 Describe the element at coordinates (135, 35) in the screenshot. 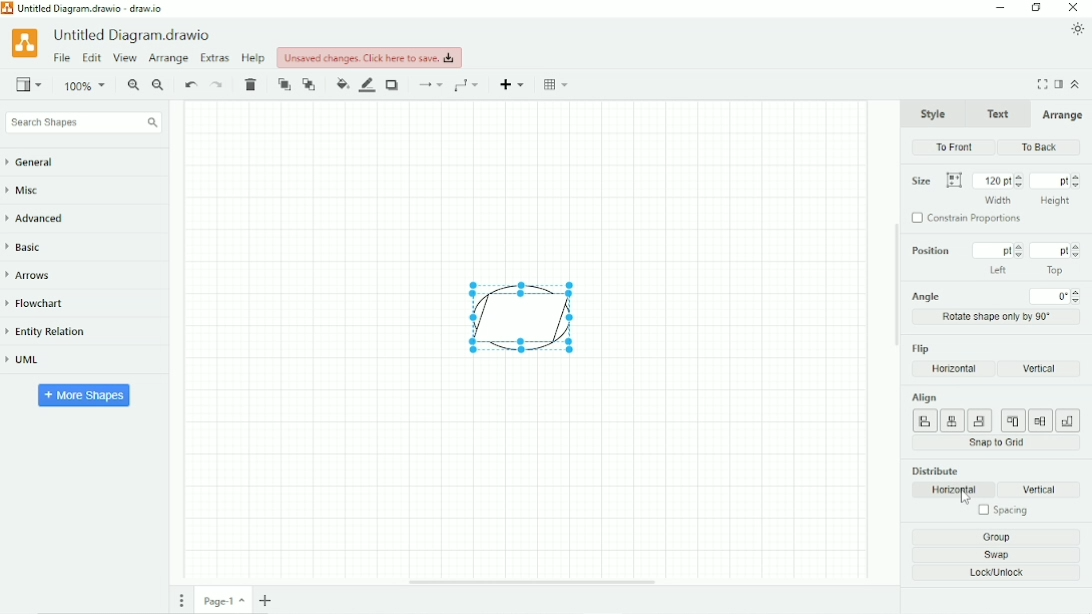

I see `Title` at that location.